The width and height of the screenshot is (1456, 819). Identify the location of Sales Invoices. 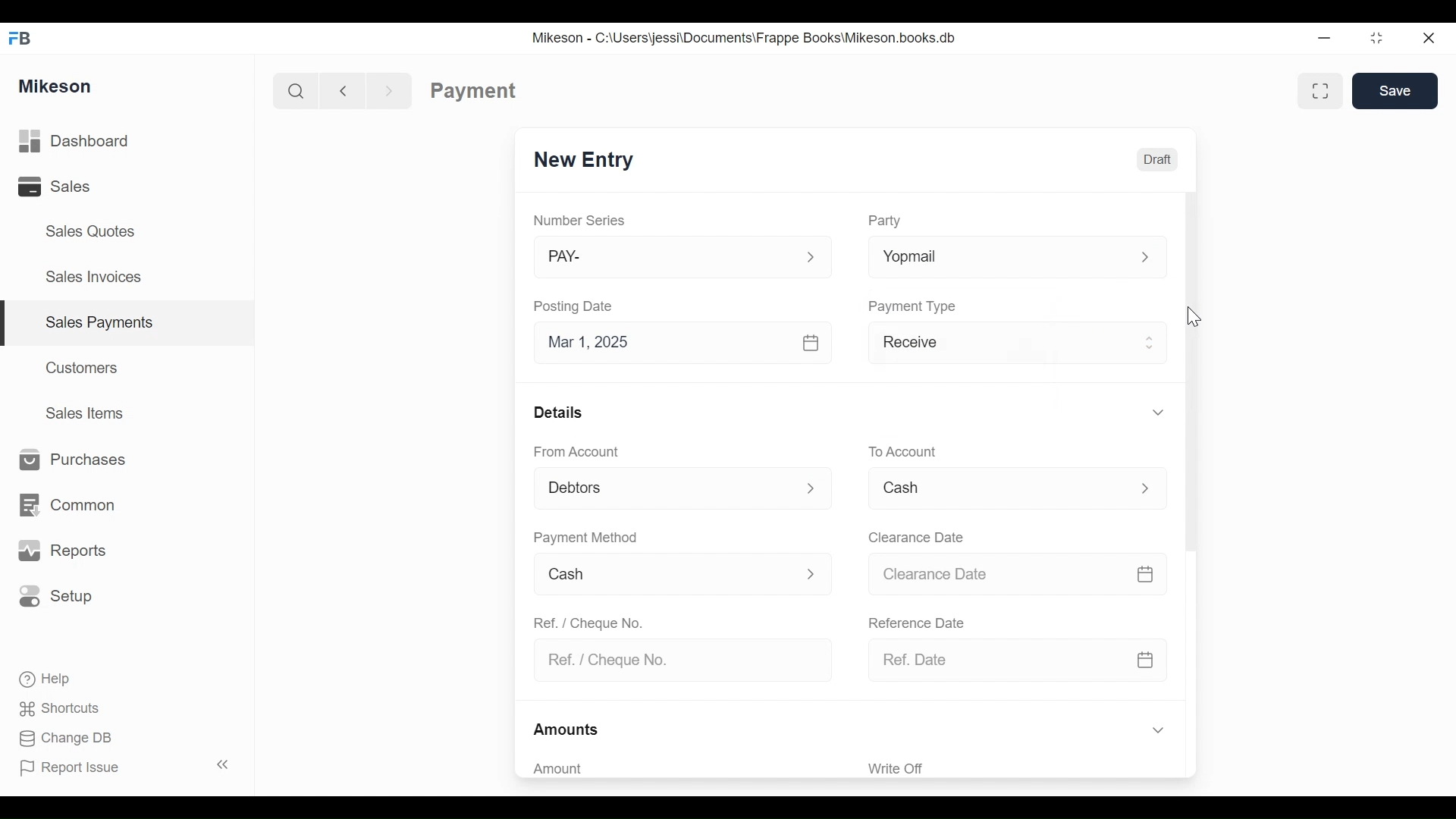
(88, 278).